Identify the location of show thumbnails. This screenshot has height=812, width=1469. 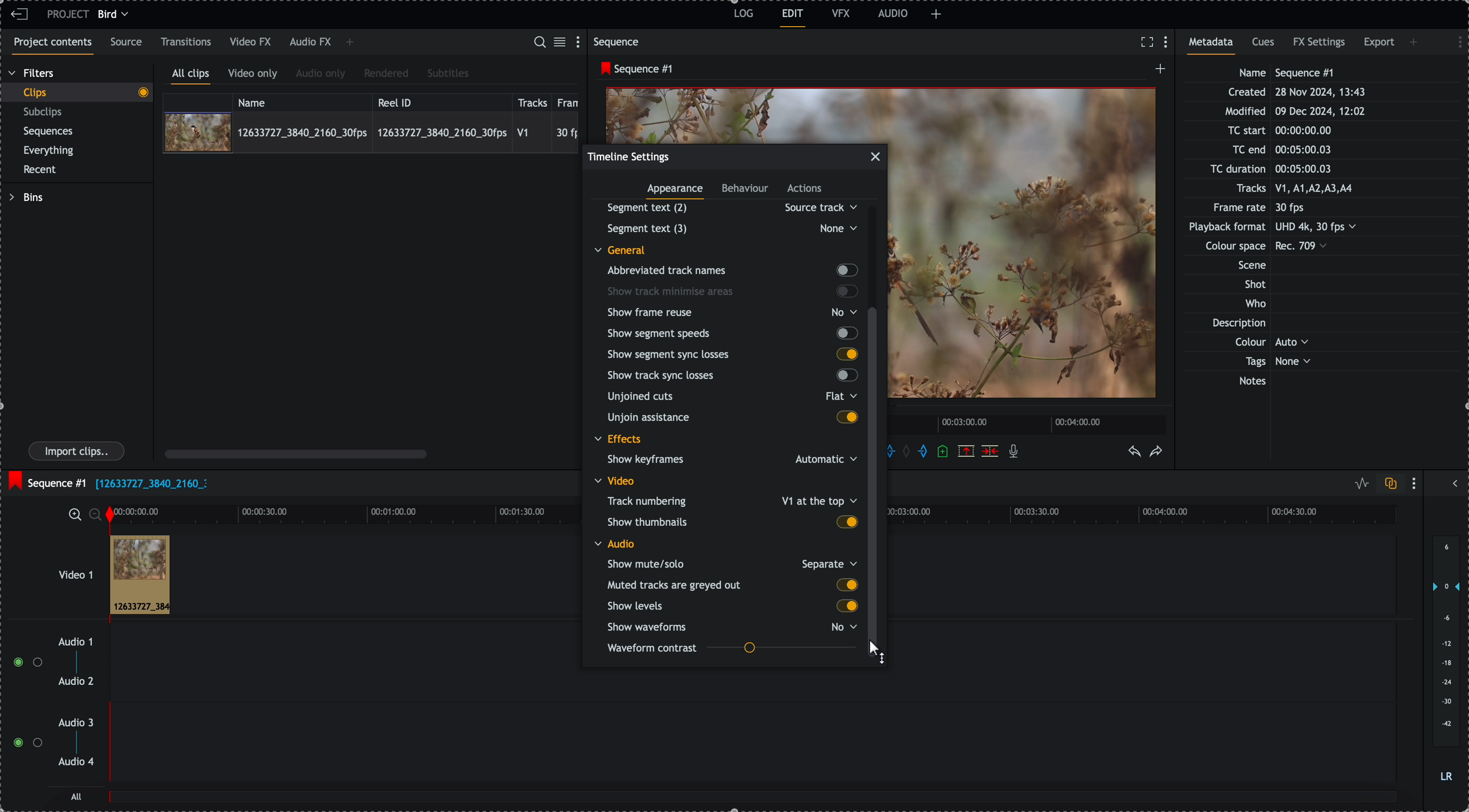
(732, 521).